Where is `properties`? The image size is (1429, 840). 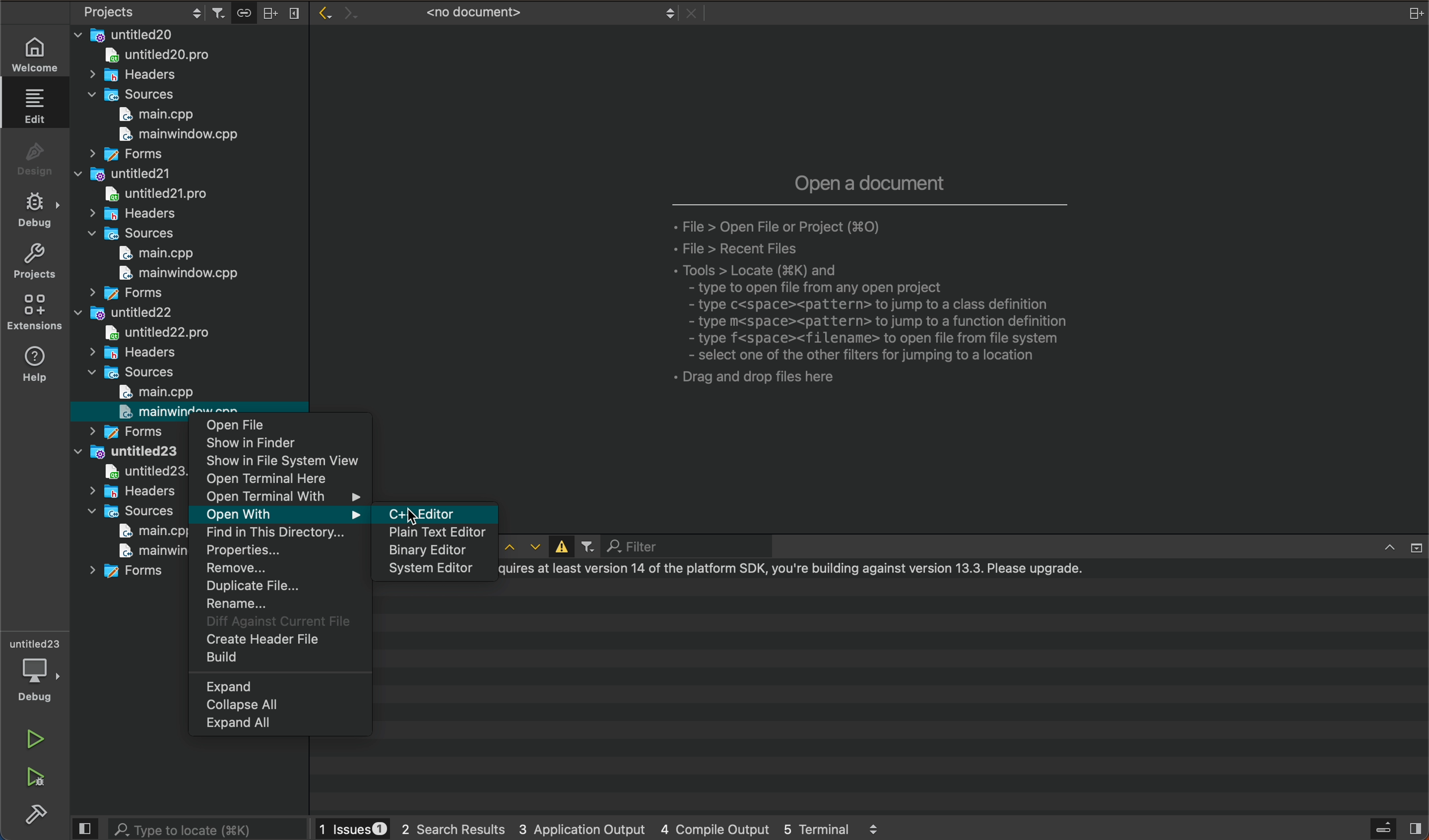
properties is located at coordinates (280, 551).